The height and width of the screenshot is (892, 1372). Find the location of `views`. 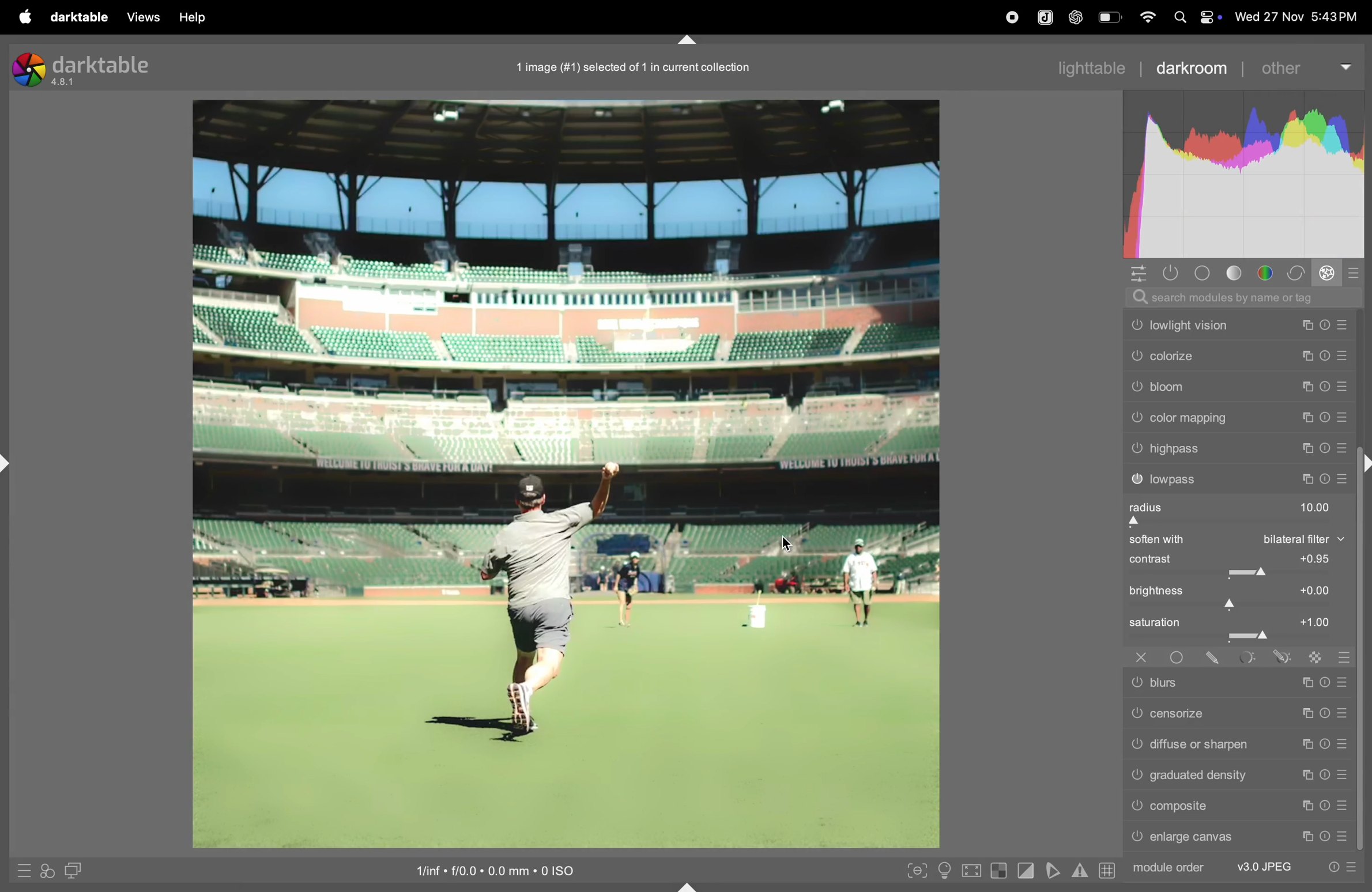

views is located at coordinates (138, 17).